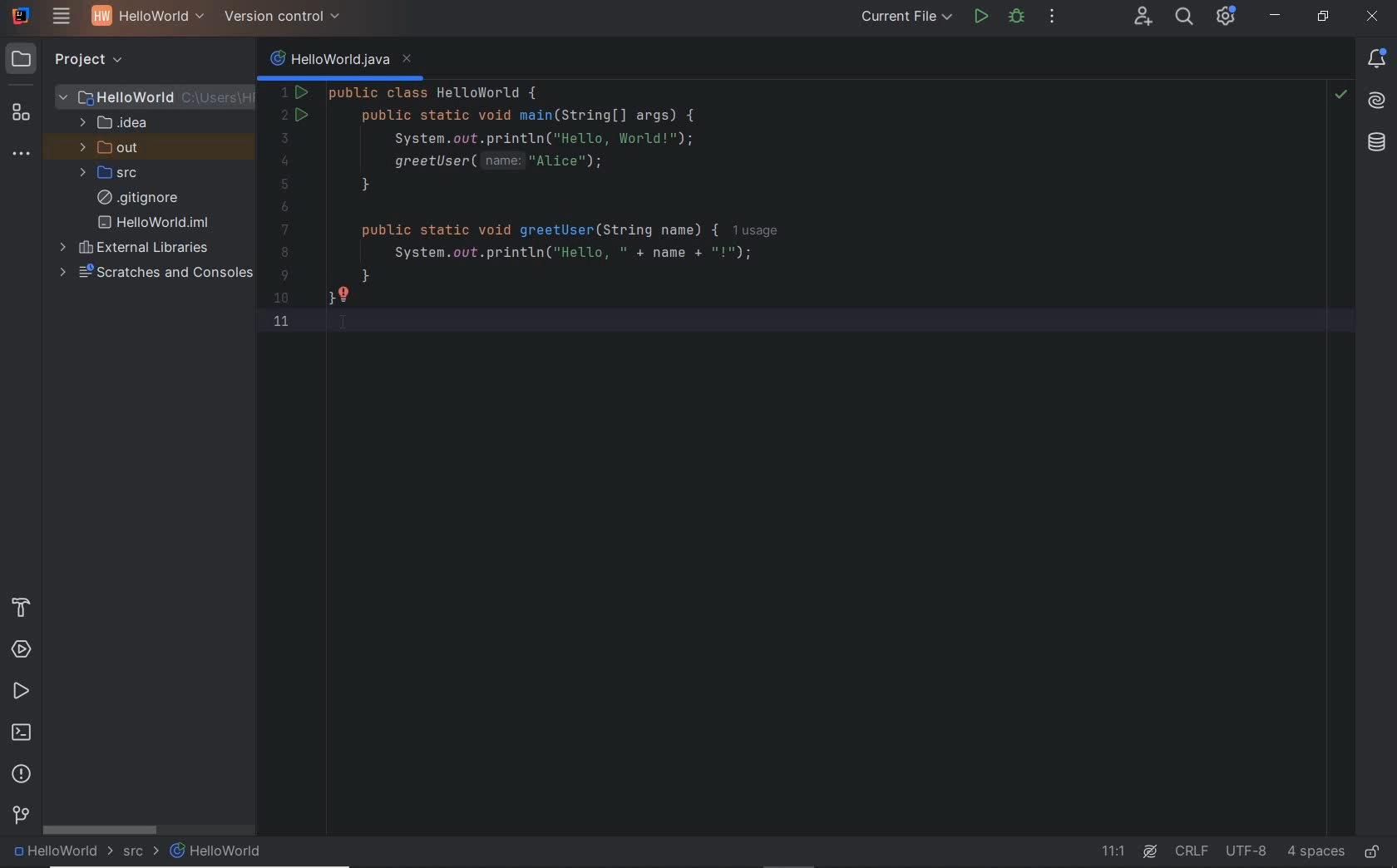 The image size is (1397, 868). What do you see at coordinates (62, 18) in the screenshot?
I see `main menu` at bounding box center [62, 18].